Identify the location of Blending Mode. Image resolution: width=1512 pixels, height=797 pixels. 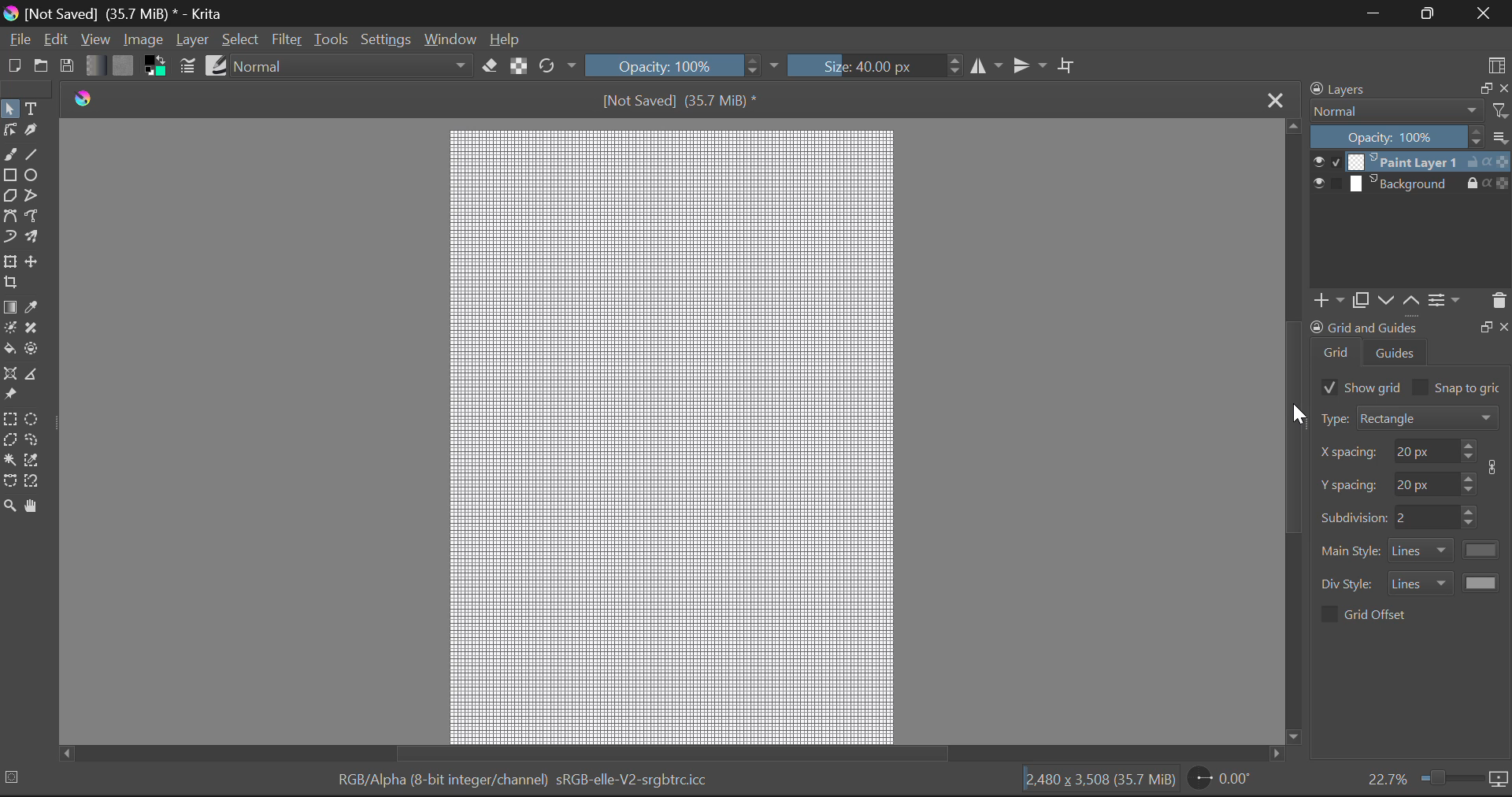
(354, 65).